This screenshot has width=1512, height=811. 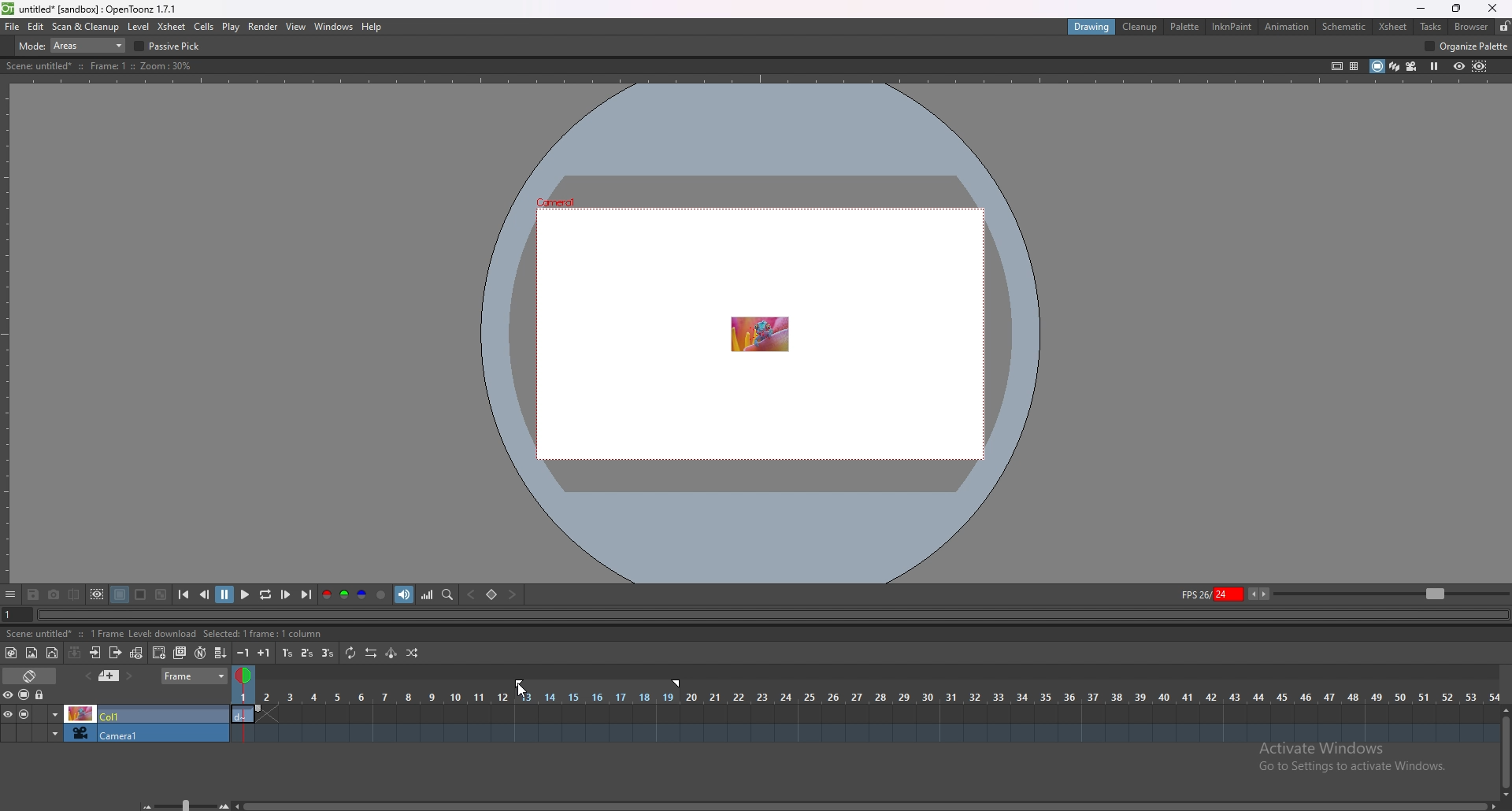 What do you see at coordinates (1344, 27) in the screenshot?
I see `schematic` at bounding box center [1344, 27].